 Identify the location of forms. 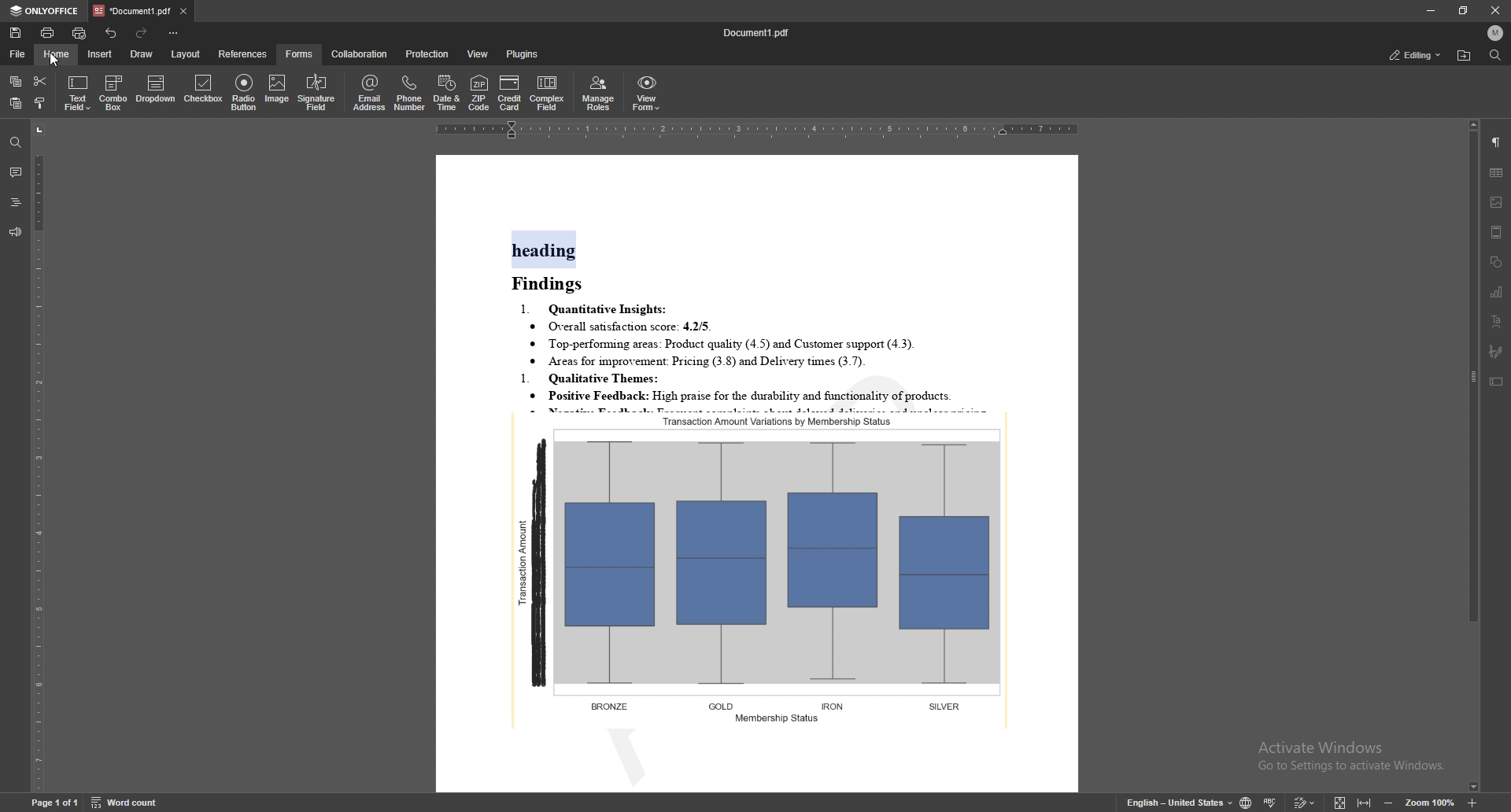
(300, 54).